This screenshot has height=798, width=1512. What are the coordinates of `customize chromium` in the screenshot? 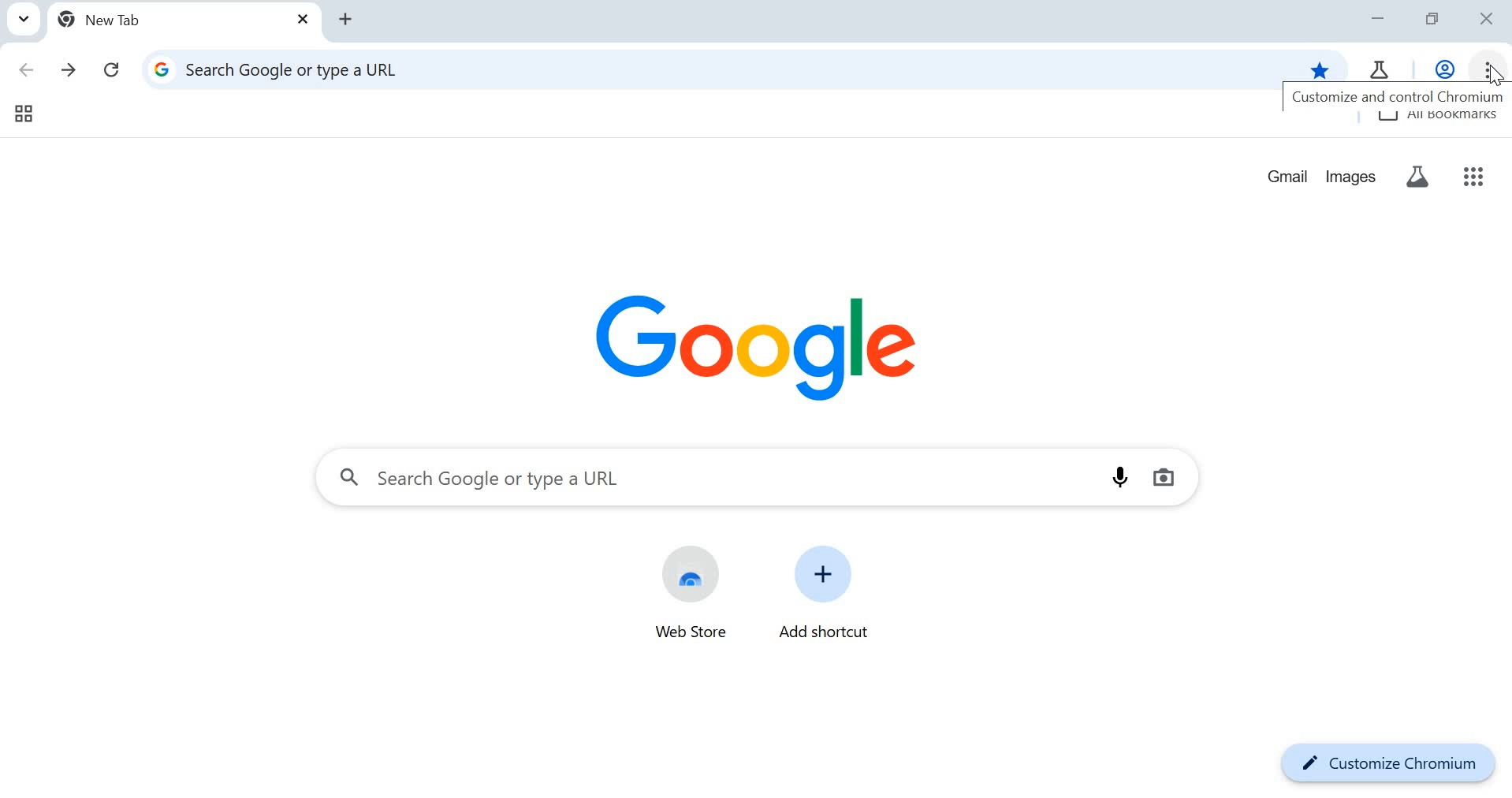 It's located at (1378, 761).